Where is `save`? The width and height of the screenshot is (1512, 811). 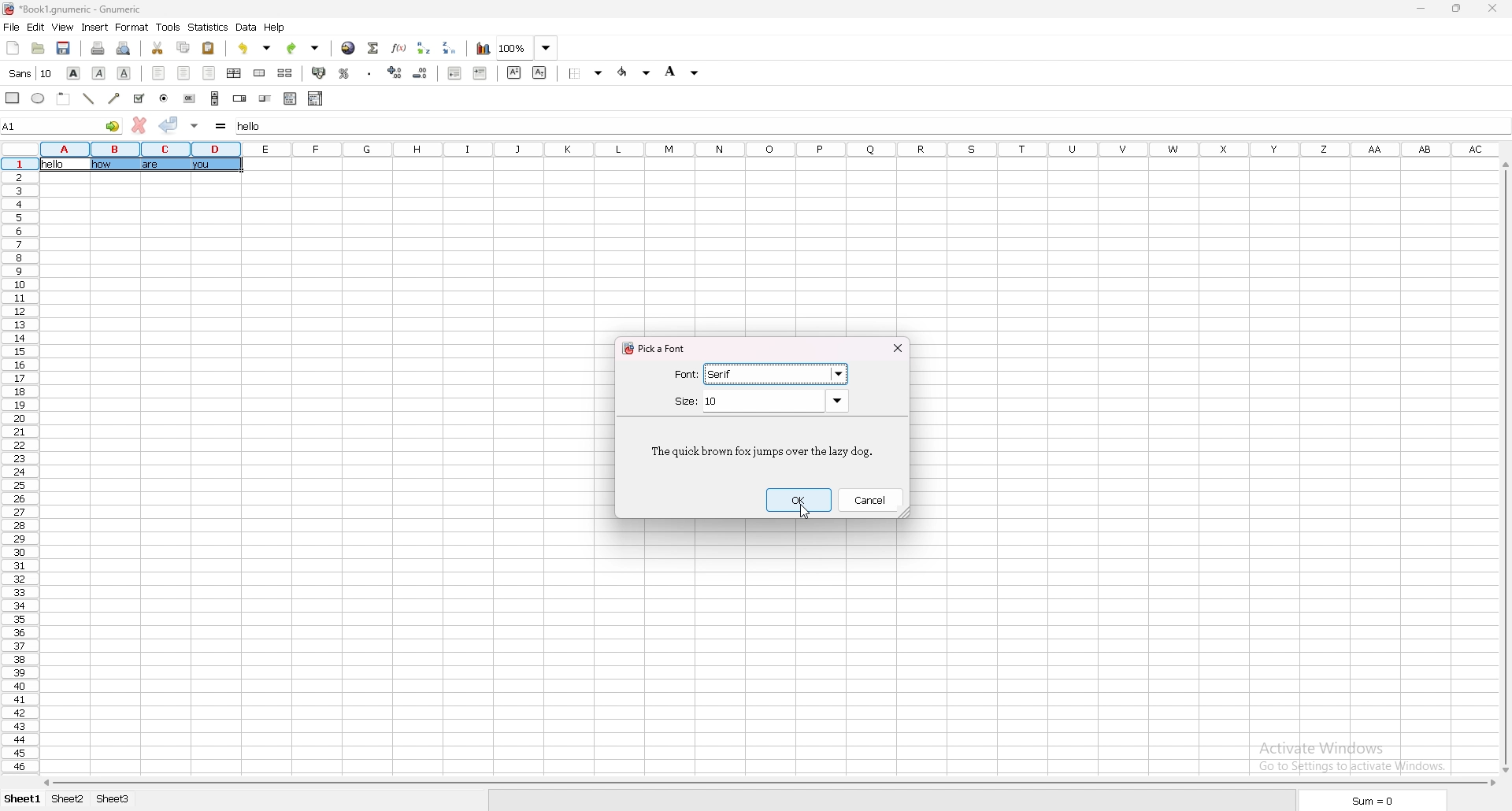
save is located at coordinates (65, 48).